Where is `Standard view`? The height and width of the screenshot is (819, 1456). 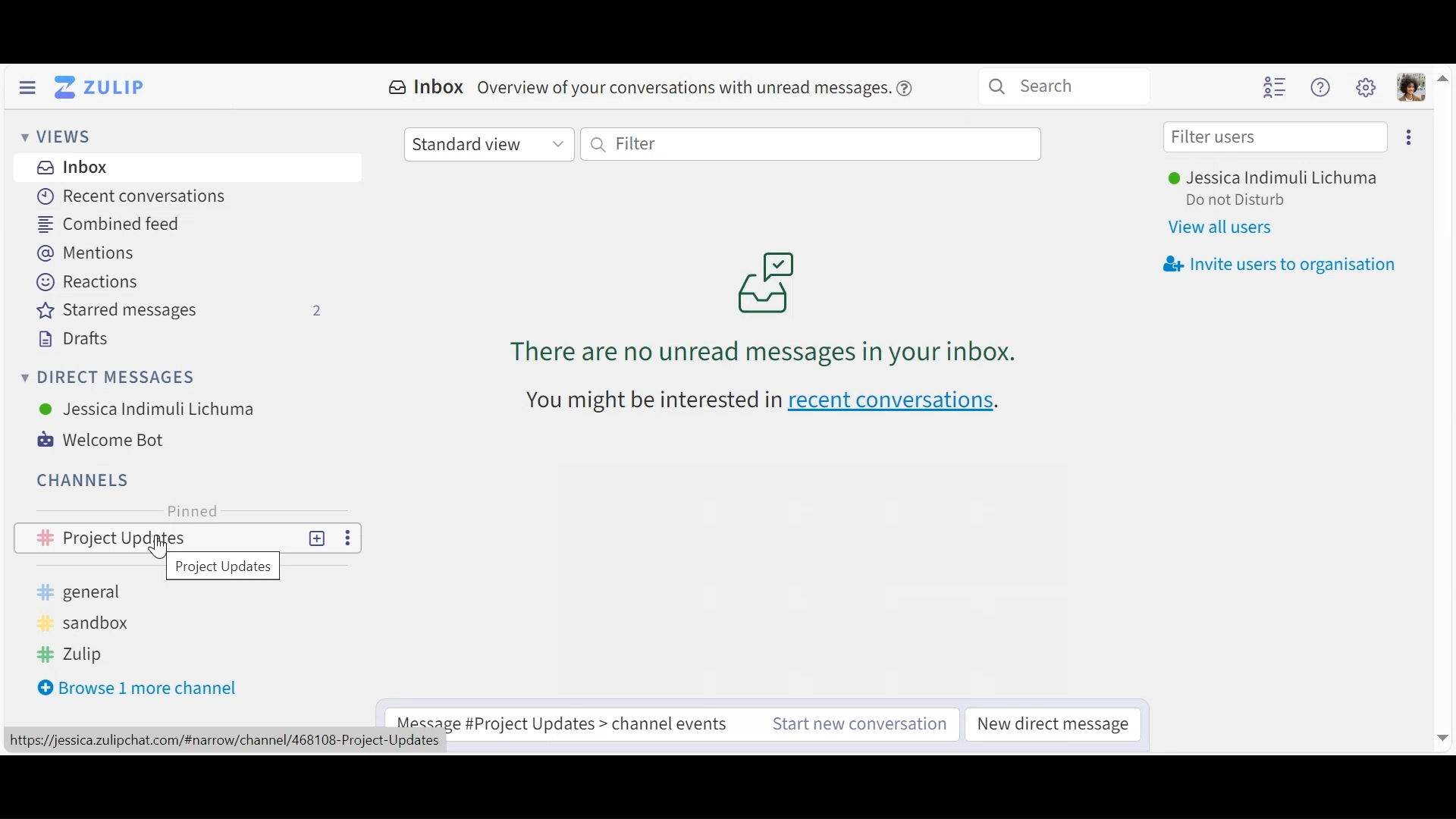 Standard view is located at coordinates (488, 143).